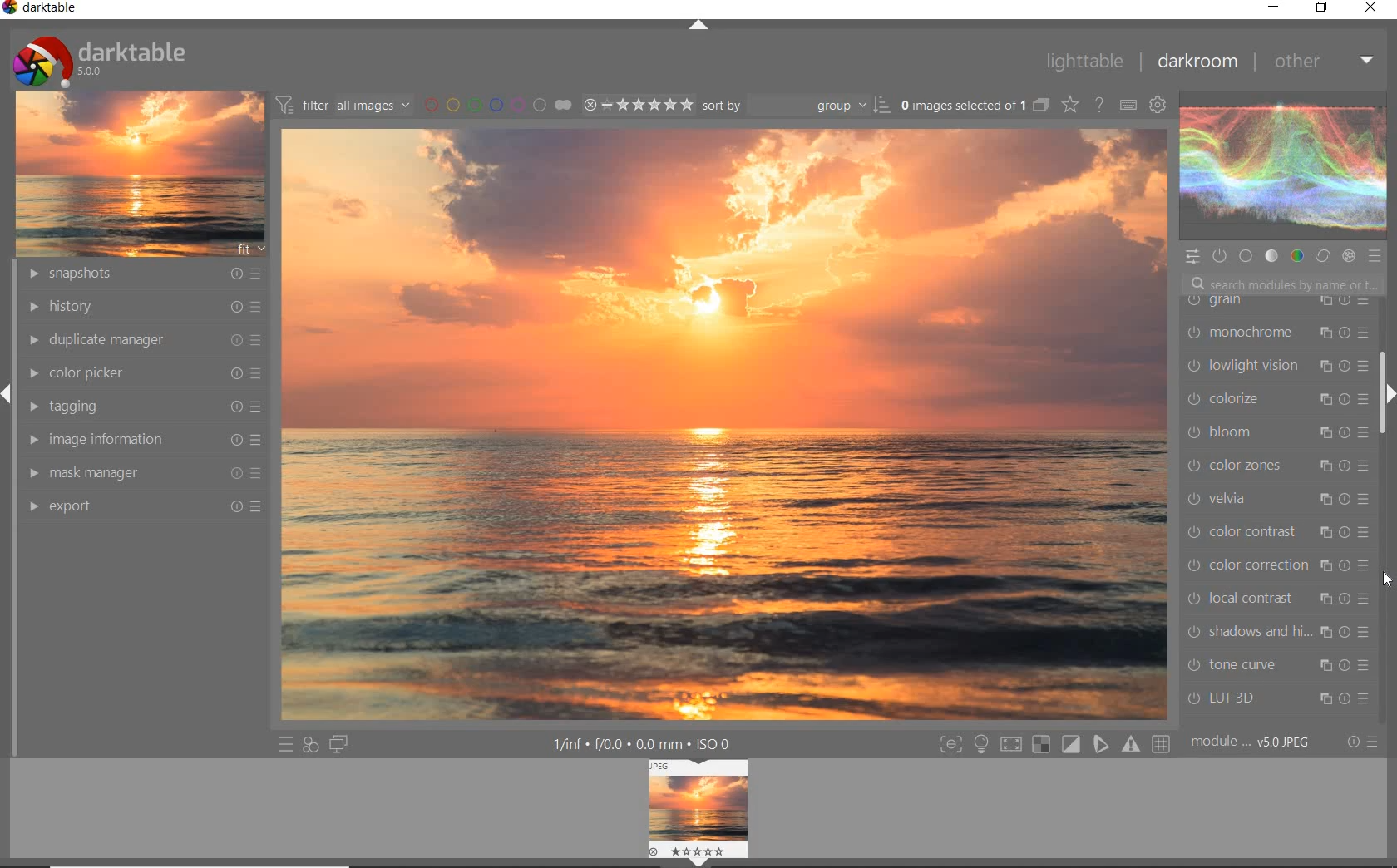  Describe the element at coordinates (1069, 104) in the screenshot. I see `CHANGE TYPE FOR OVER RELAY` at that location.